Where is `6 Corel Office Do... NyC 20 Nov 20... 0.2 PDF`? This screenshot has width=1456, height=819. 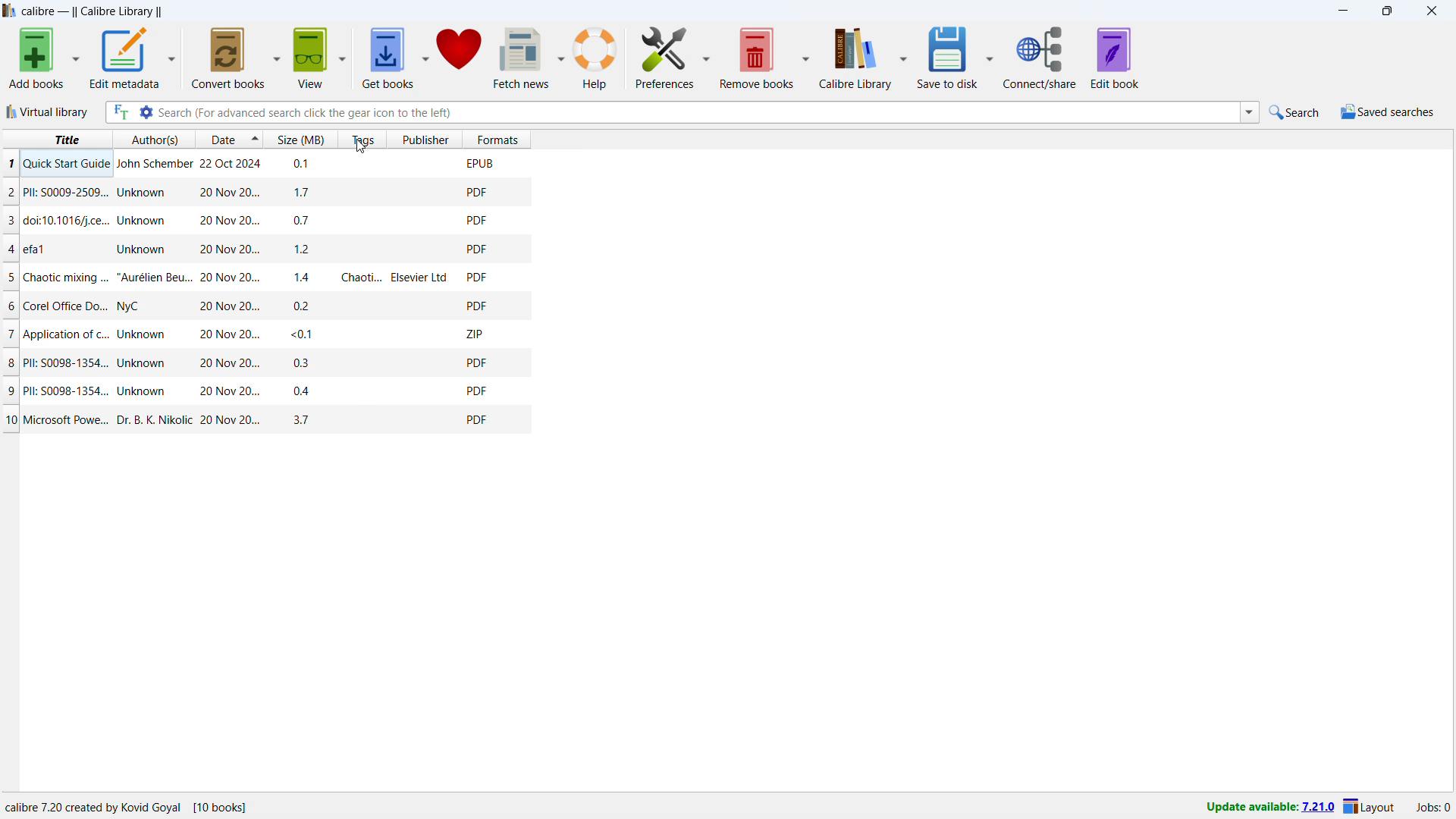
6 Corel Office Do... NyC 20 Nov 20... 0.2 PDF is located at coordinates (269, 304).